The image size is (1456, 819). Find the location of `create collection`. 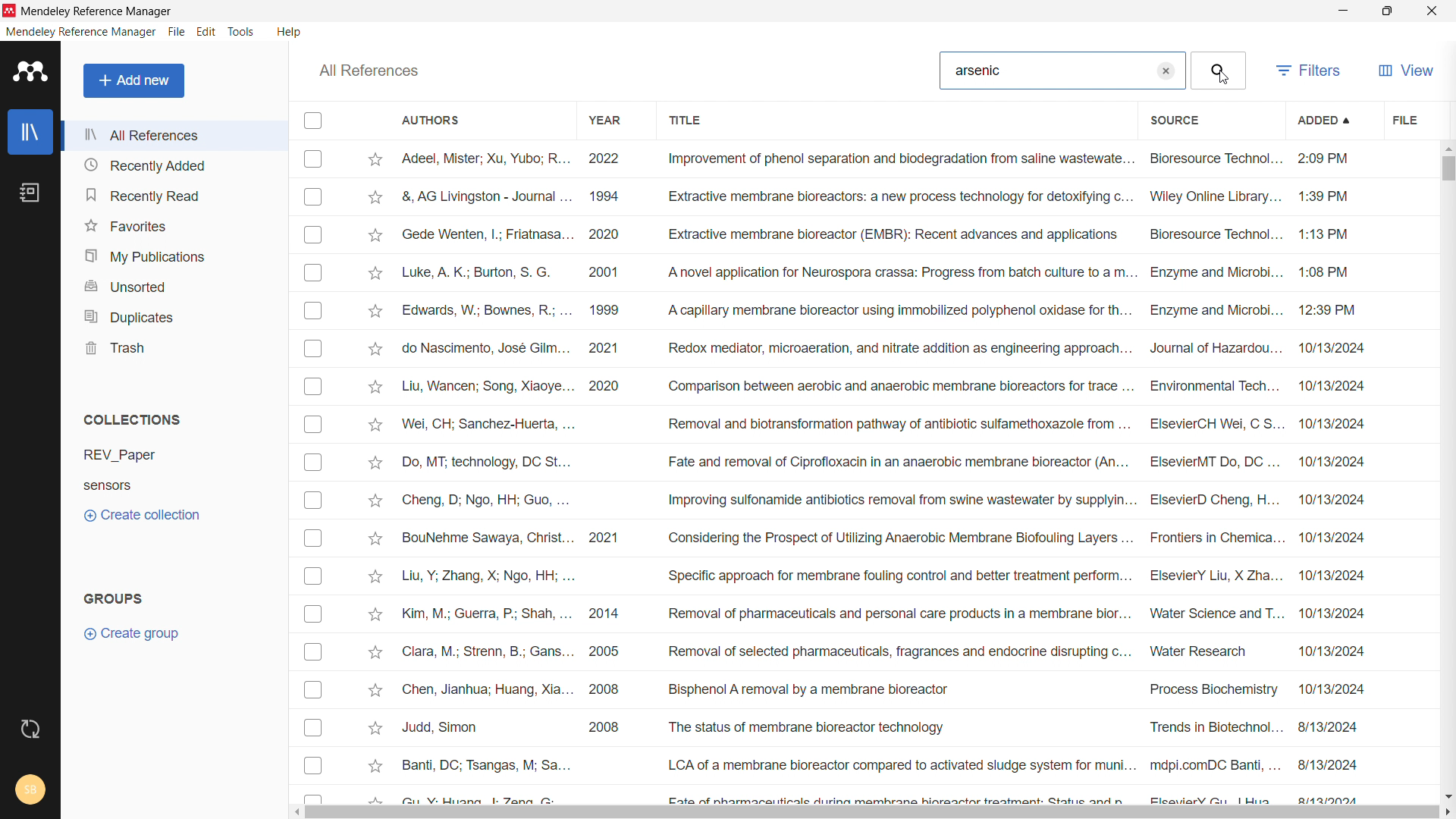

create collection is located at coordinates (176, 516).